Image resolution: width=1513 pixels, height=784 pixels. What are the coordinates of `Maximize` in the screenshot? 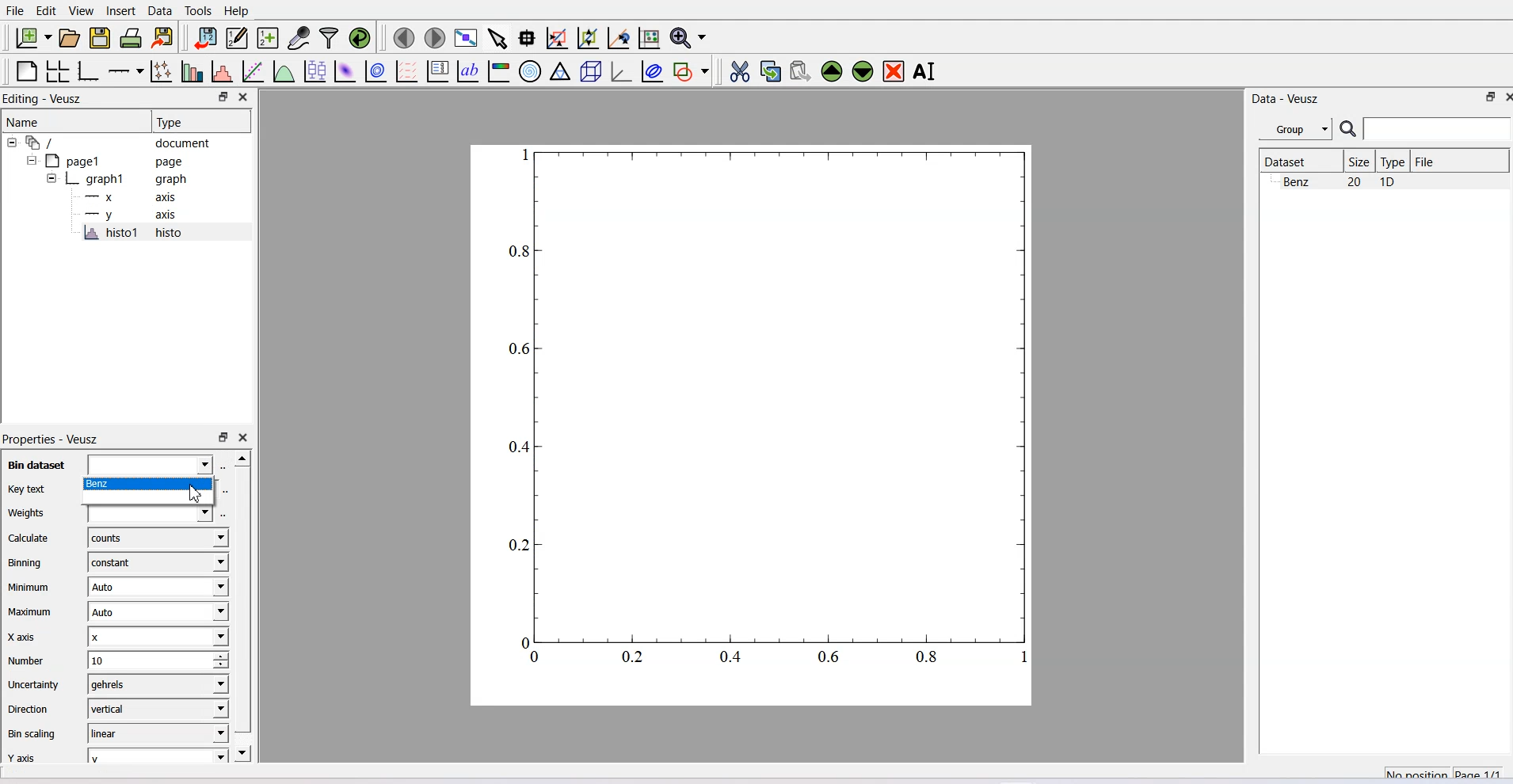 It's located at (223, 97).